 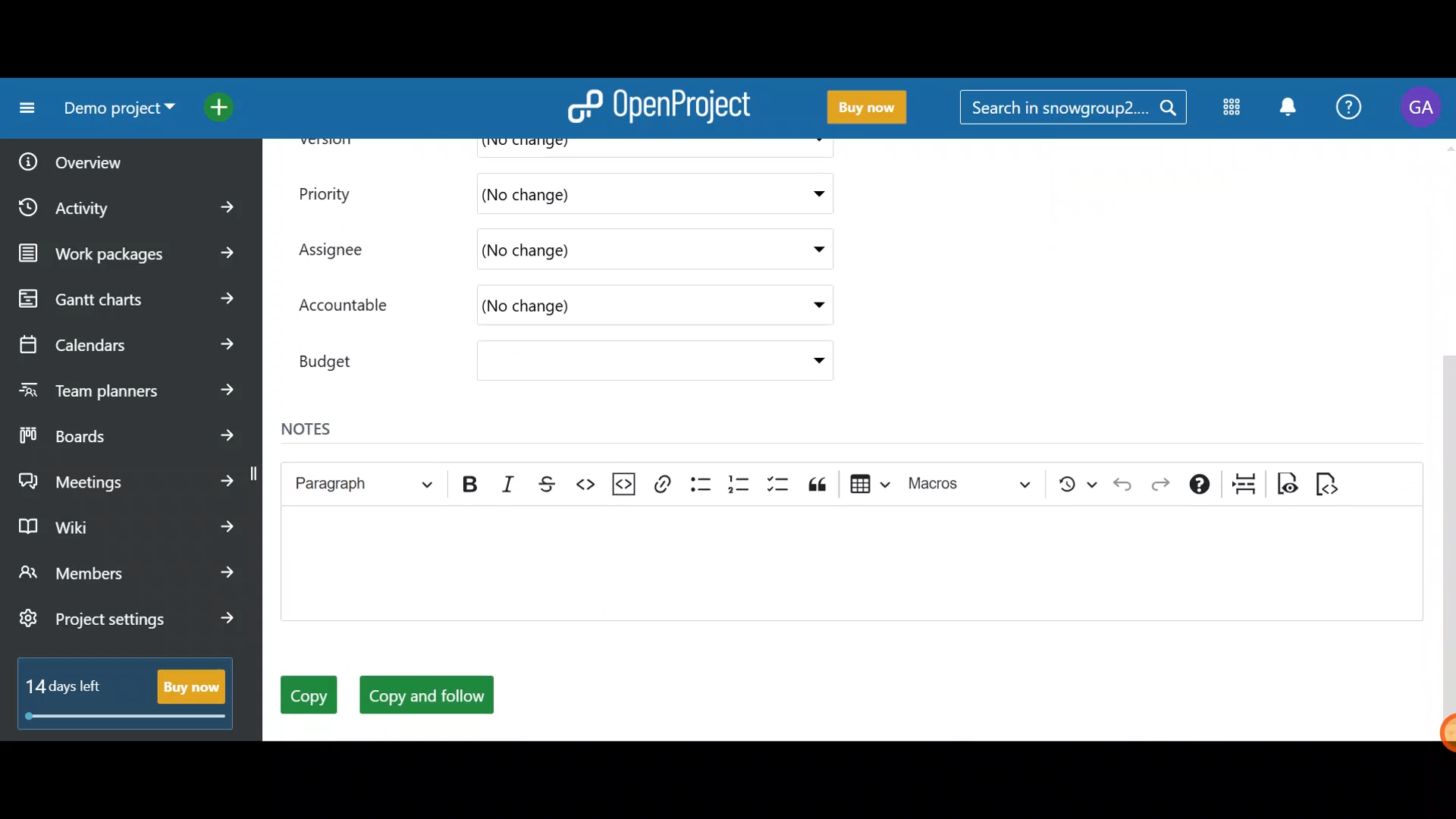 What do you see at coordinates (1287, 487) in the screenshot?
I see `Toggle preview mode` at bounding box center [1287, 487].